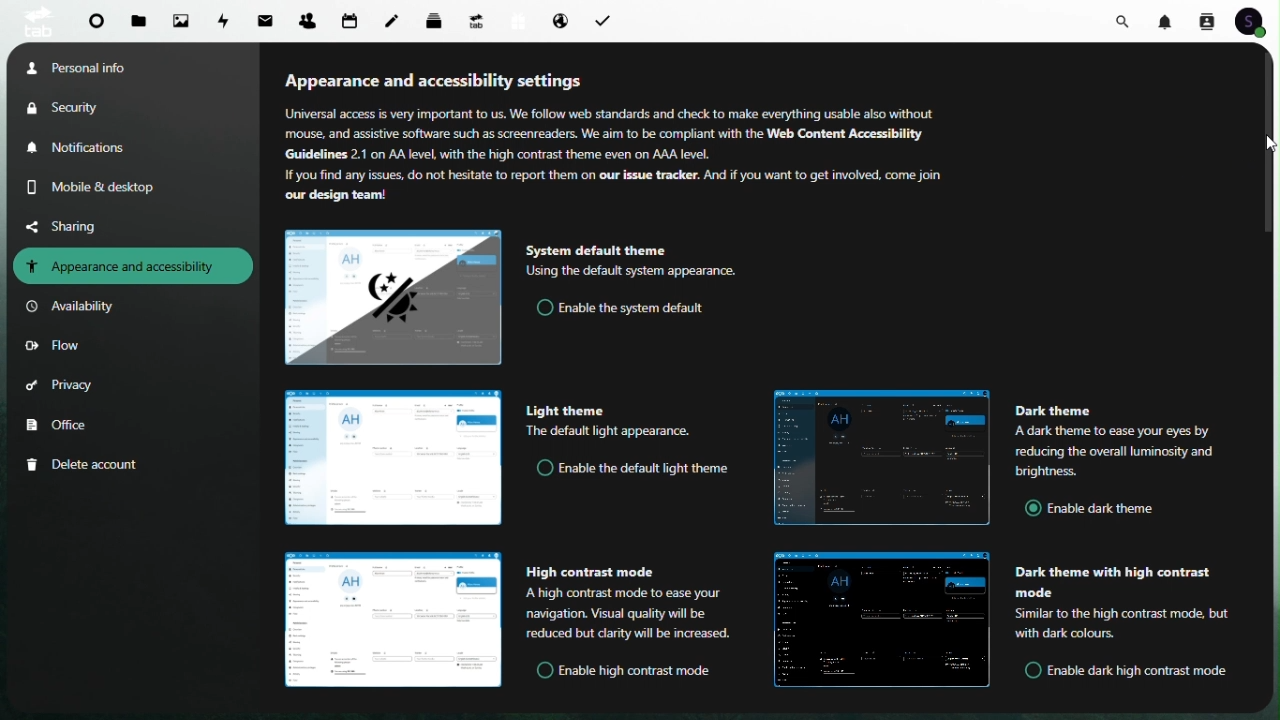 The image size is (1280, 720). I want to click on Security, so click(81, 107).